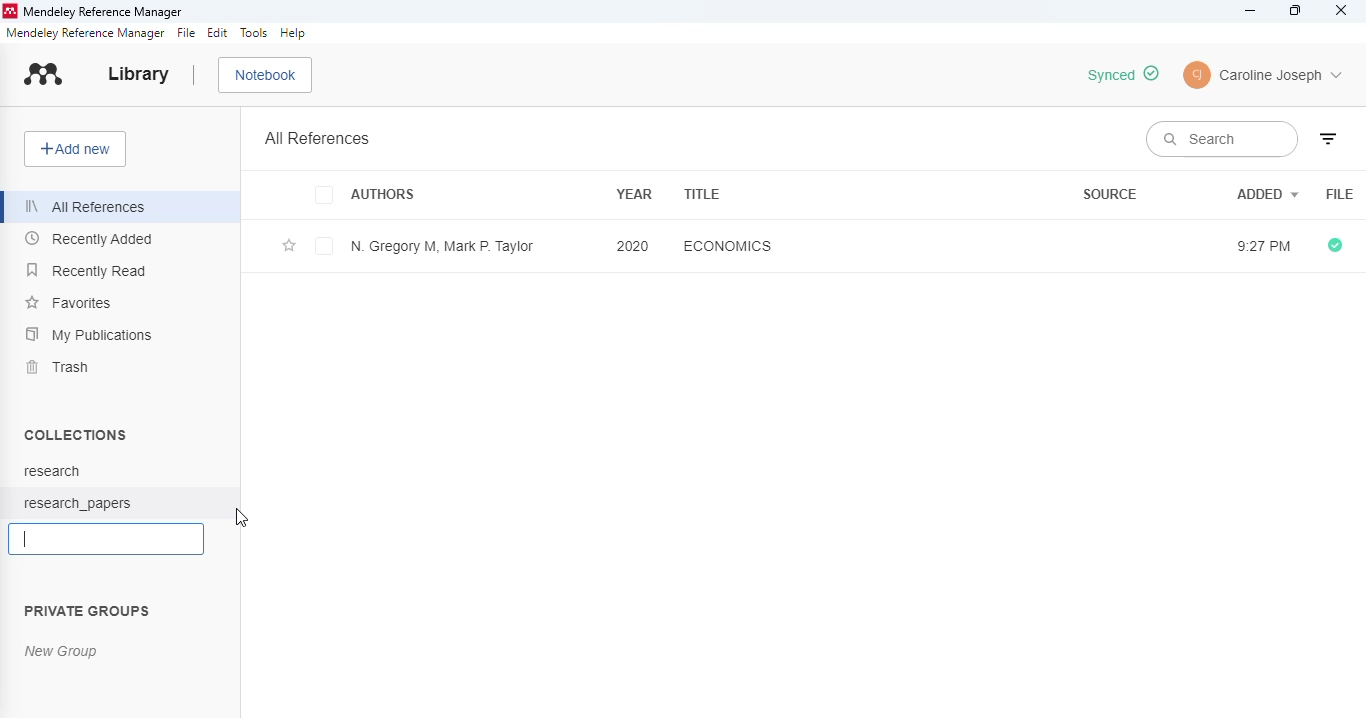  I want to click on cursor, so click(242, 517).